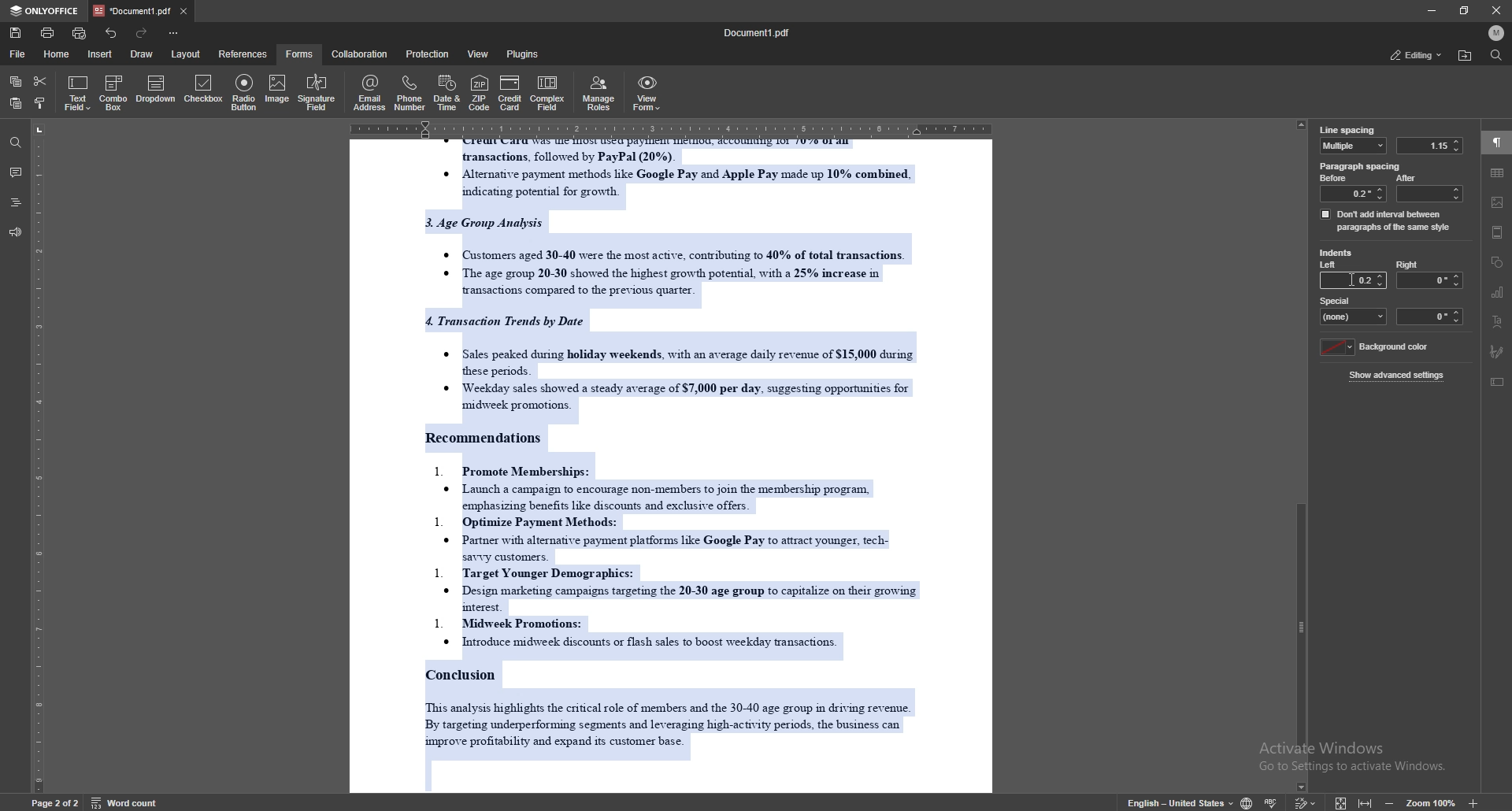 The image size is (1512, 811). I want to click on before: 0.2, so click(1351, 187).